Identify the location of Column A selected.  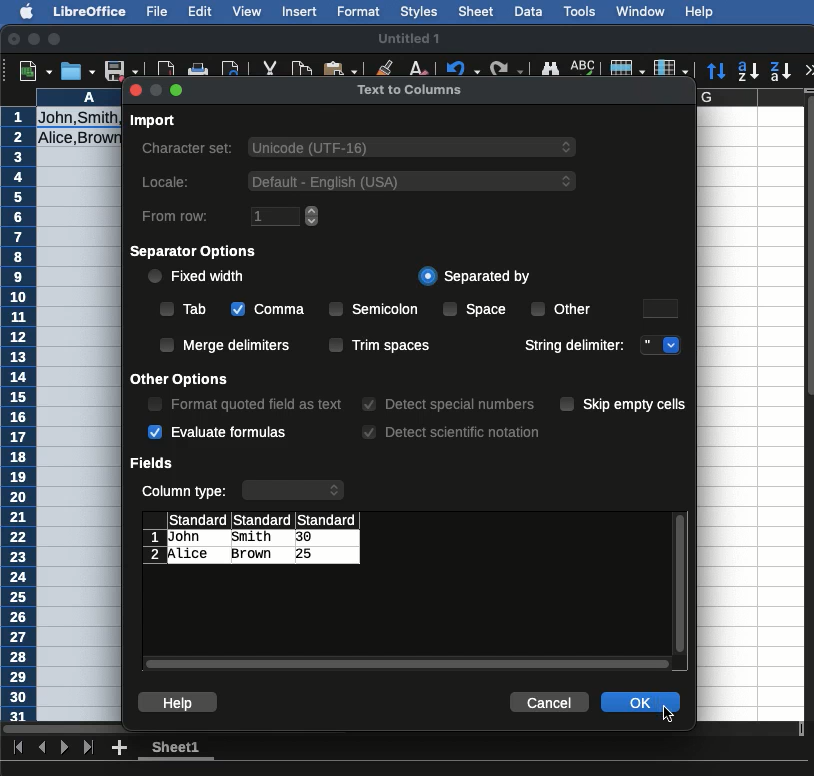
(80, 404).